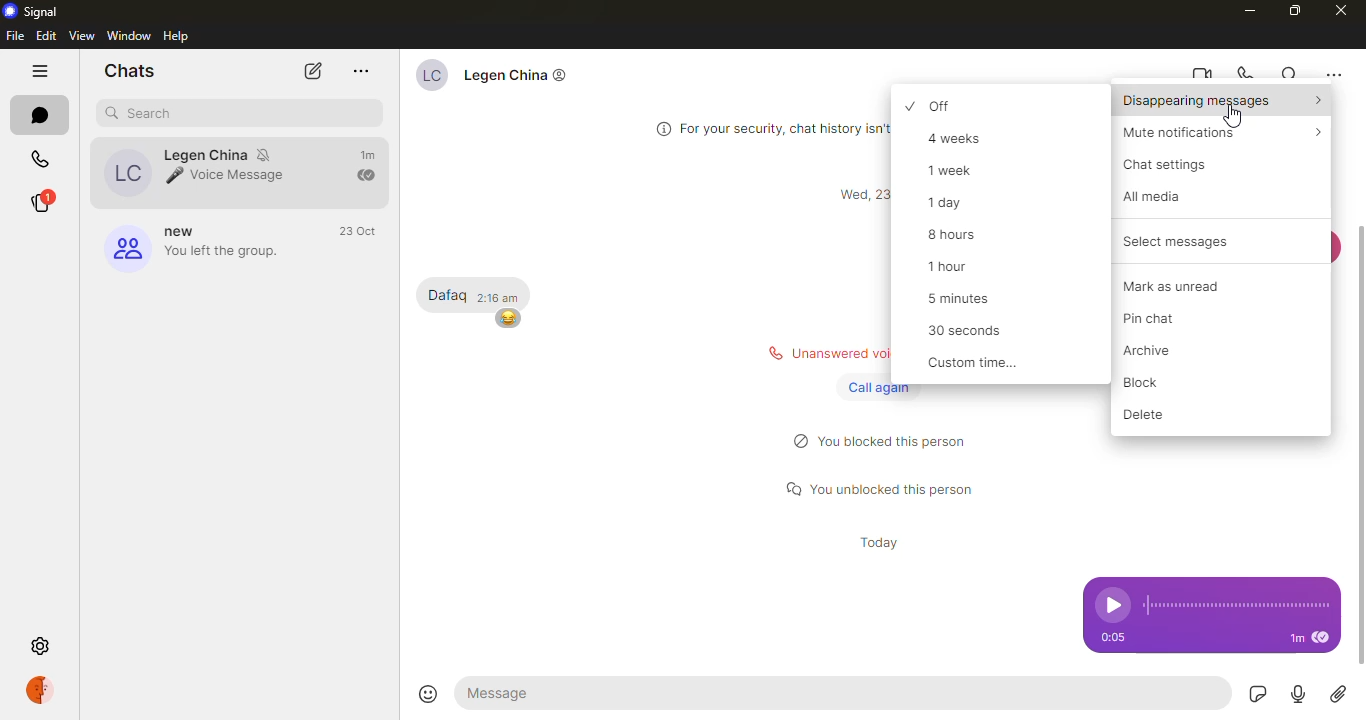 The width and height of the screenshot is (1366, 720). Describe the element at coordinates (128, 35) in the screenshot. I see `window` at that location.